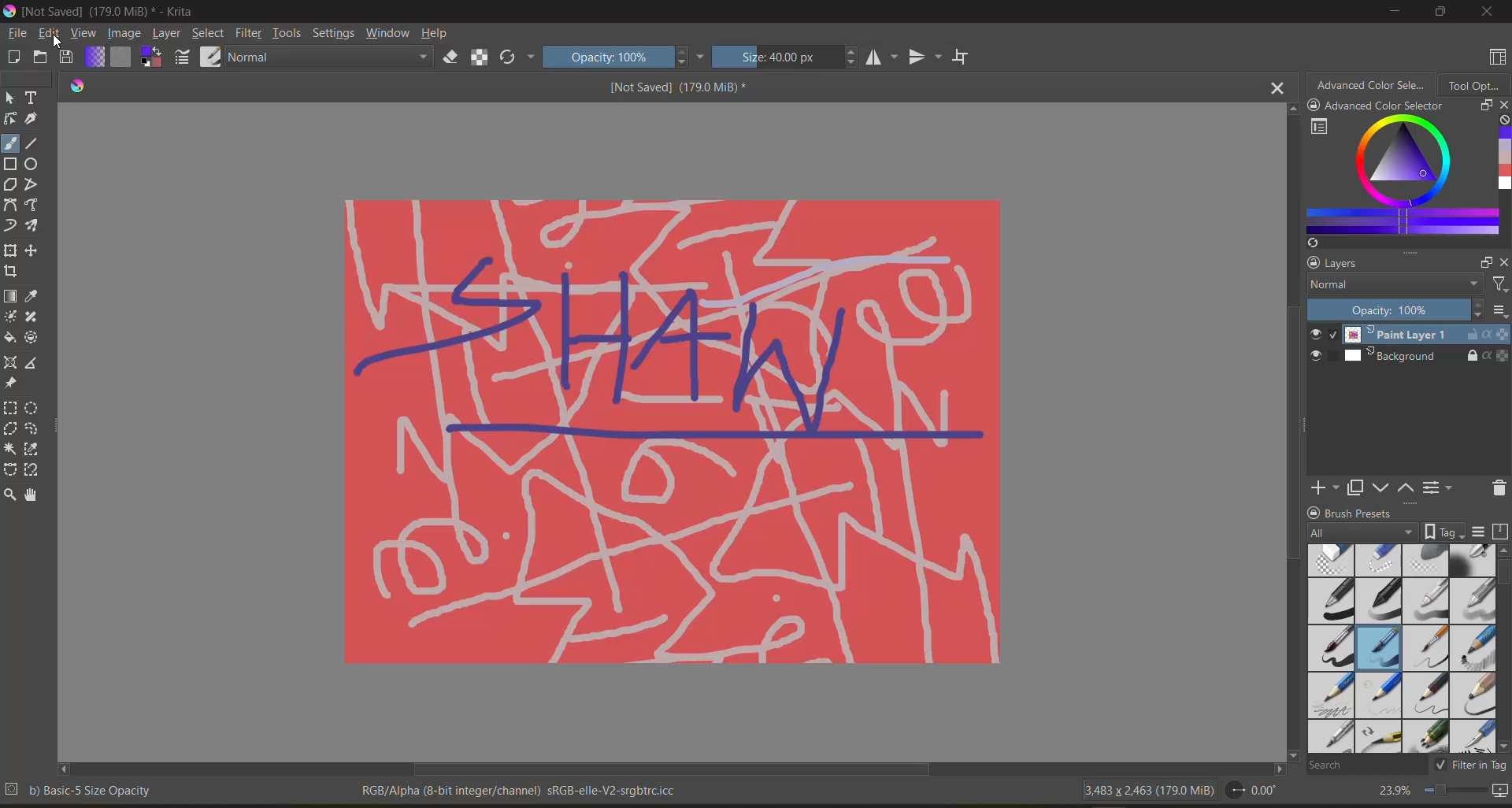  Describe the element at coordinates (66, 57) in the screenshot. I see `save` at that location.